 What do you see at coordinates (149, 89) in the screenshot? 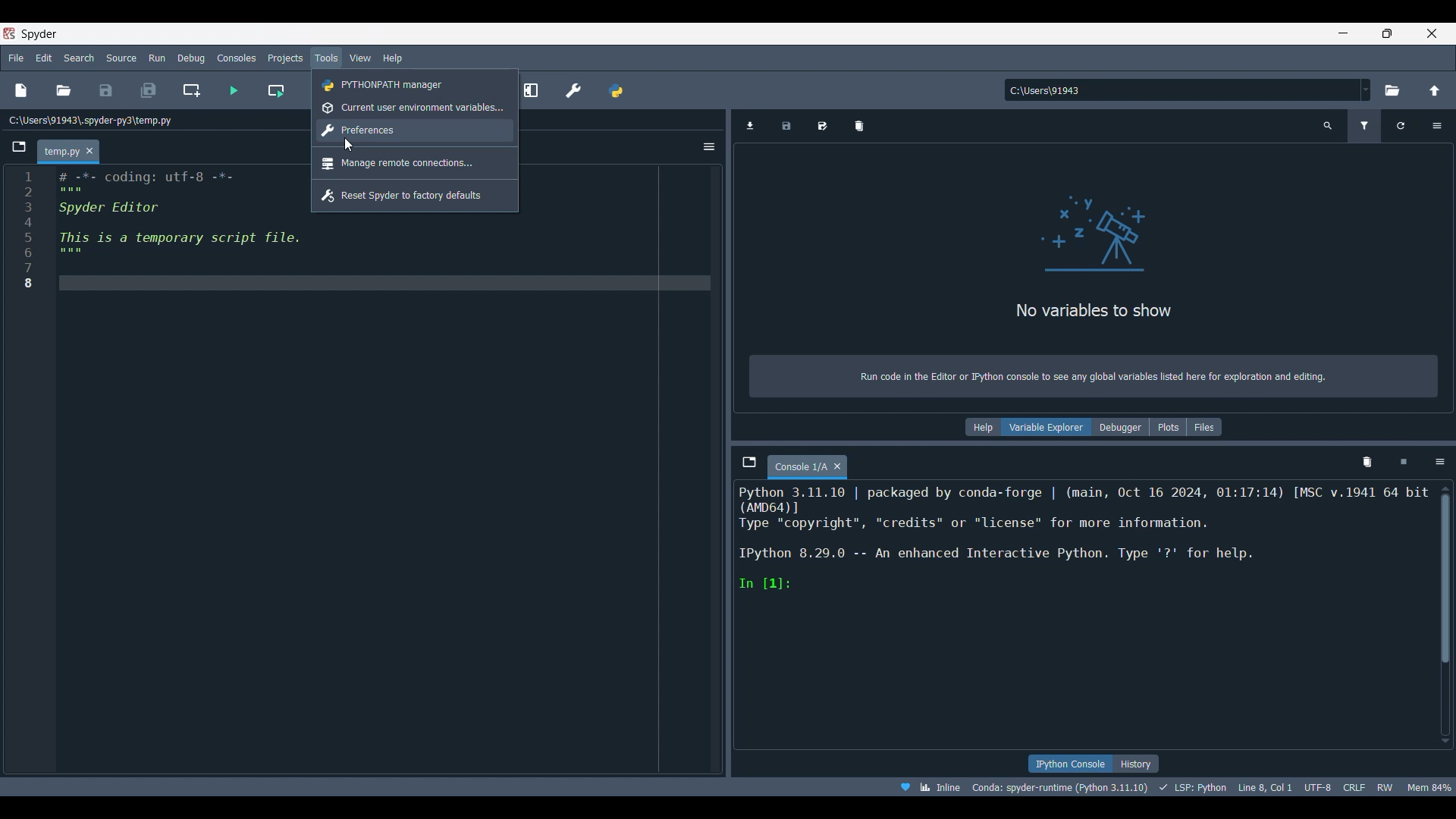
I see `Save all files` at bounding box center [149, 89].